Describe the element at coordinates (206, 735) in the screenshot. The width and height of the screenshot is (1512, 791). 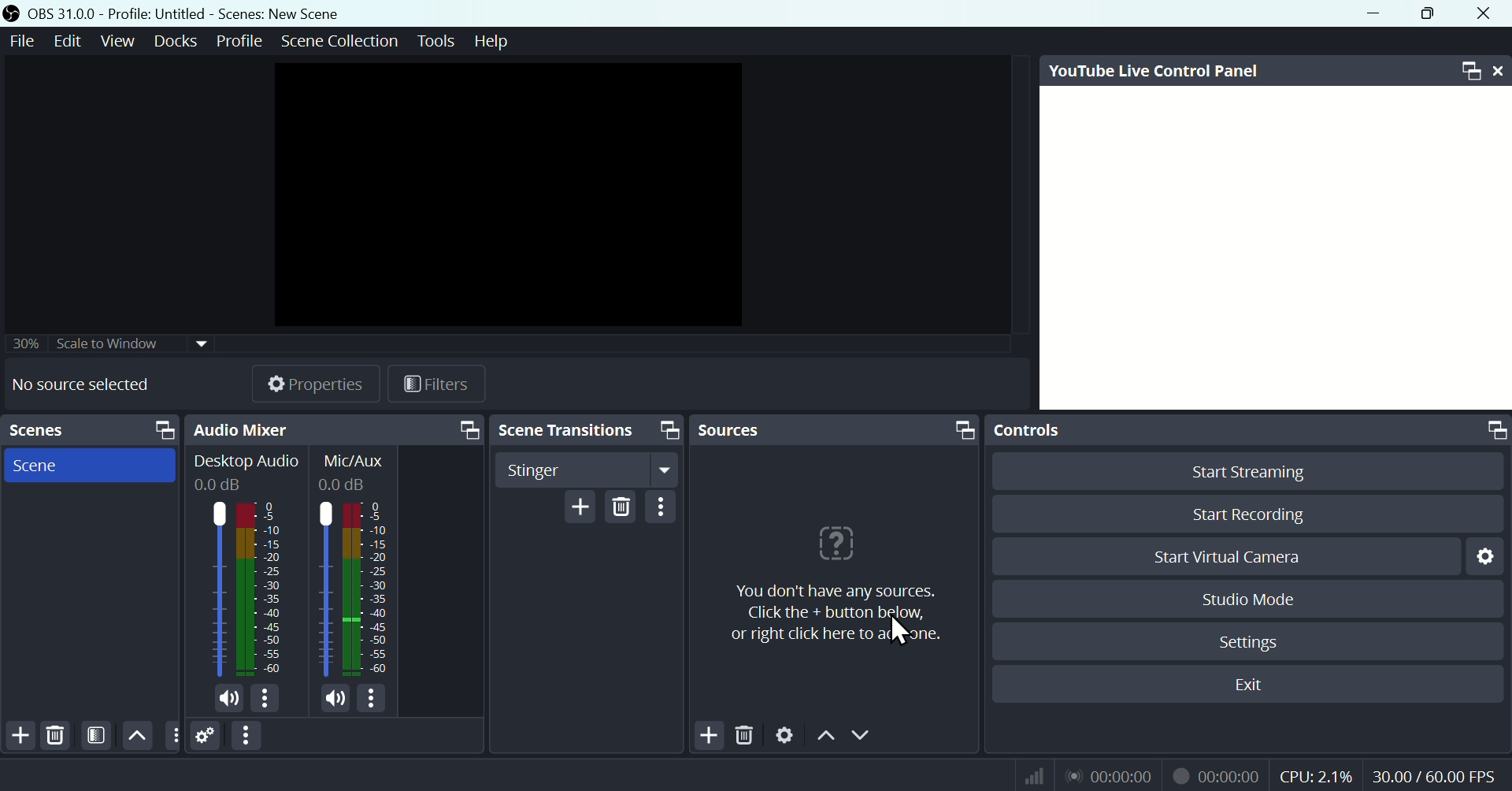
I see `Settings` at that location.